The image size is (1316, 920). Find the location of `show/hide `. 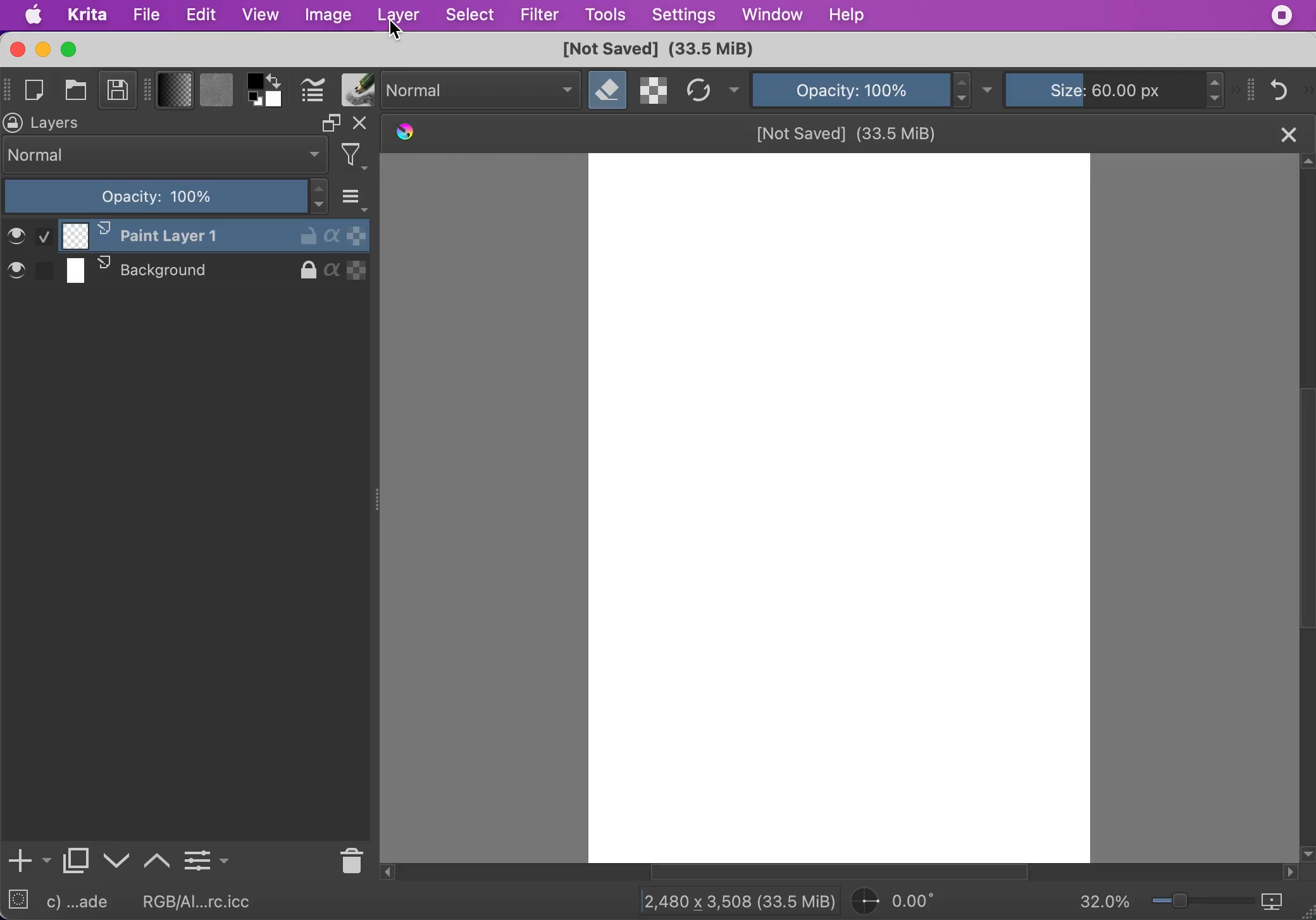

show/hide  is located at coordinates (8, 87).